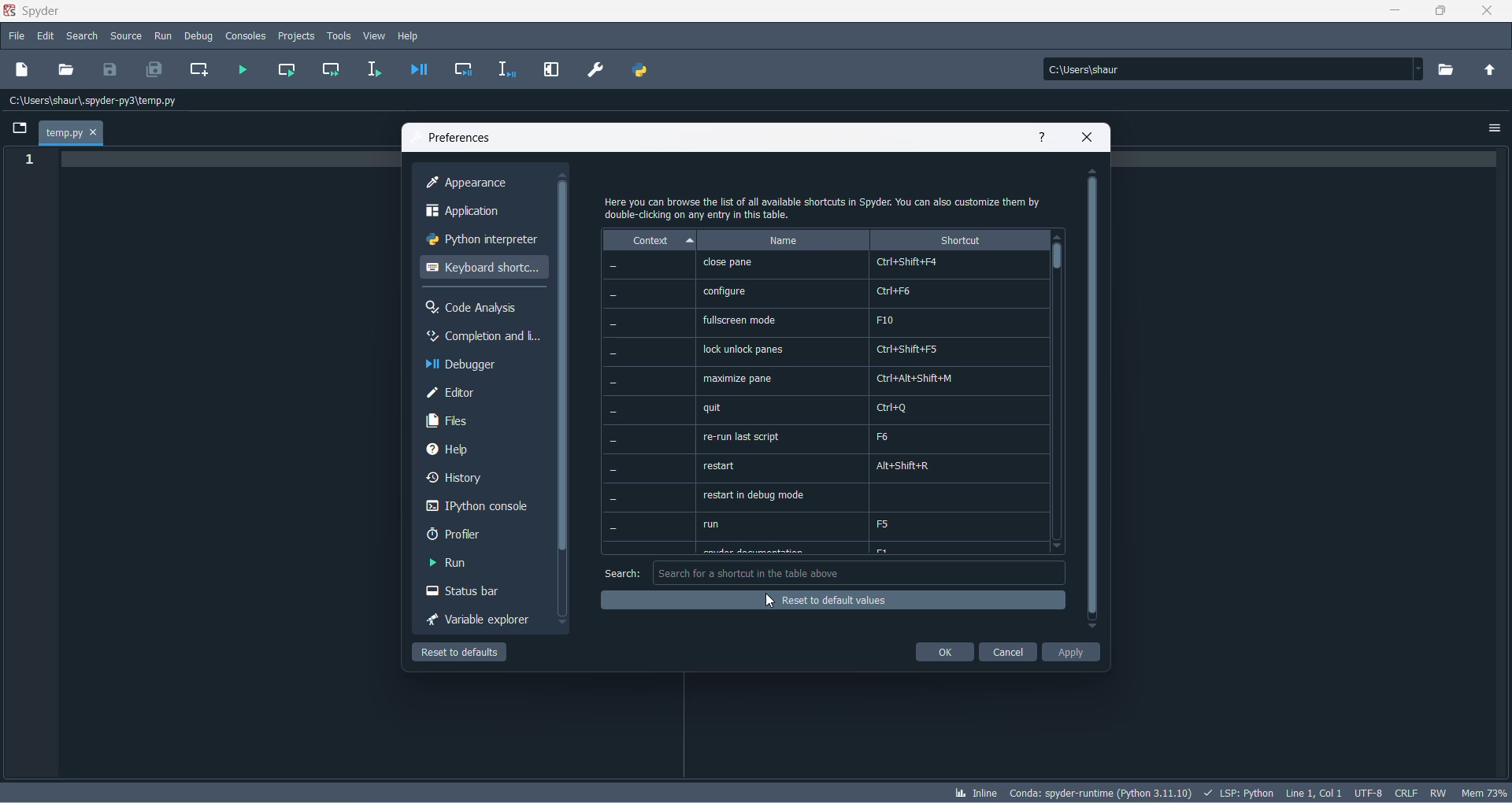 This screenshot has height=803, width=1512. What do you see at coordinates (475, 591) in the screenshot?
I see `status bar` at bounding box center [475, 591].